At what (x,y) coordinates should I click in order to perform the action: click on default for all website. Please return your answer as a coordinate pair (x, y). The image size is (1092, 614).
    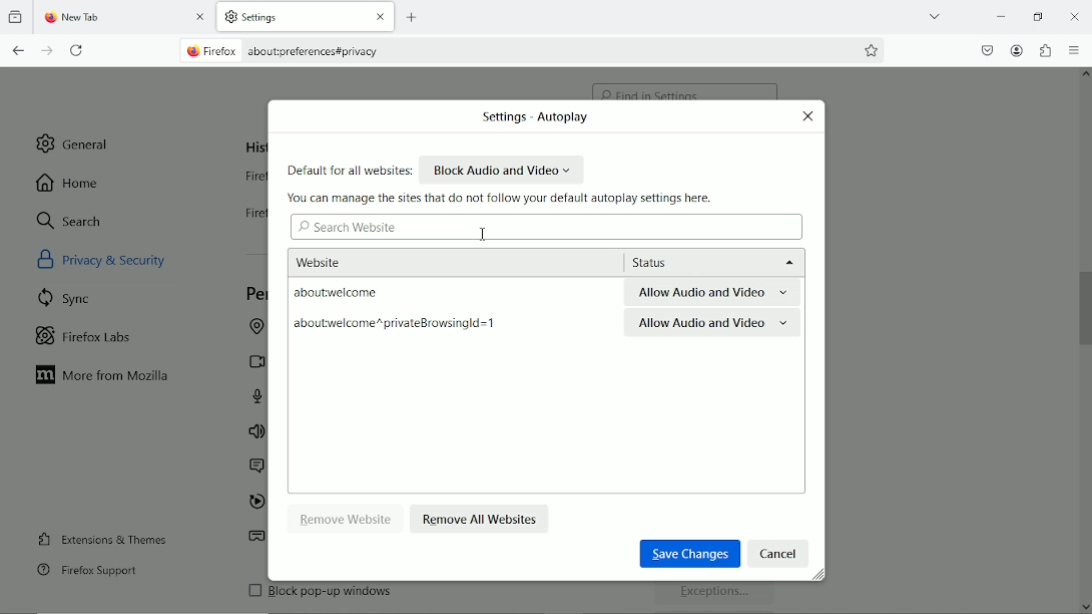
    Looking at the image, I should click on (349, 171).